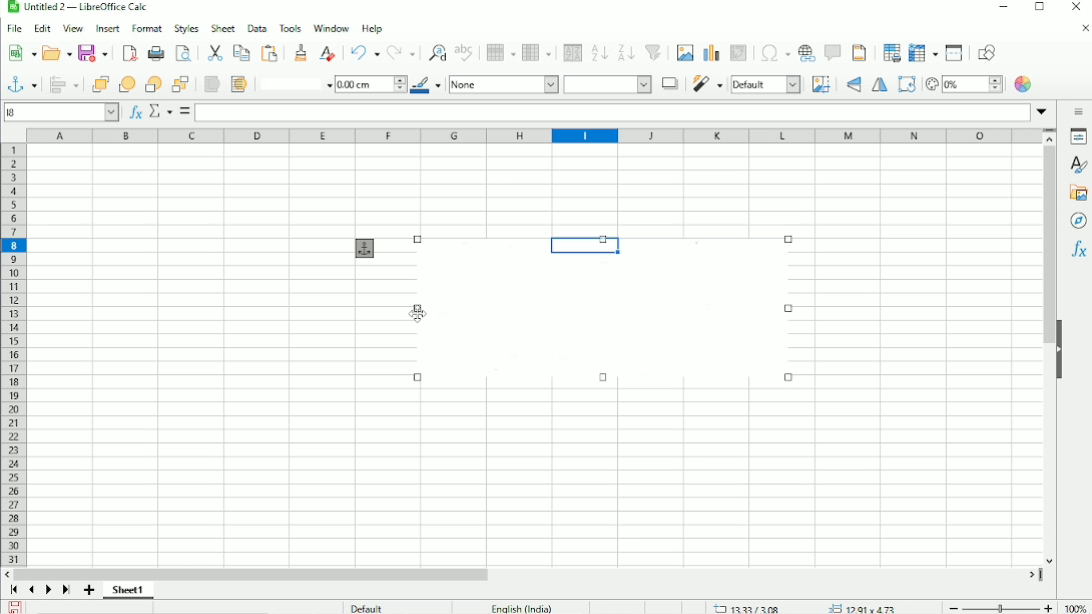 This screenshot has height=614, width=1092. What do you see at coordinates (402, 53) in the screenshot?
I see `Redo` at bounding box center [402, 53].